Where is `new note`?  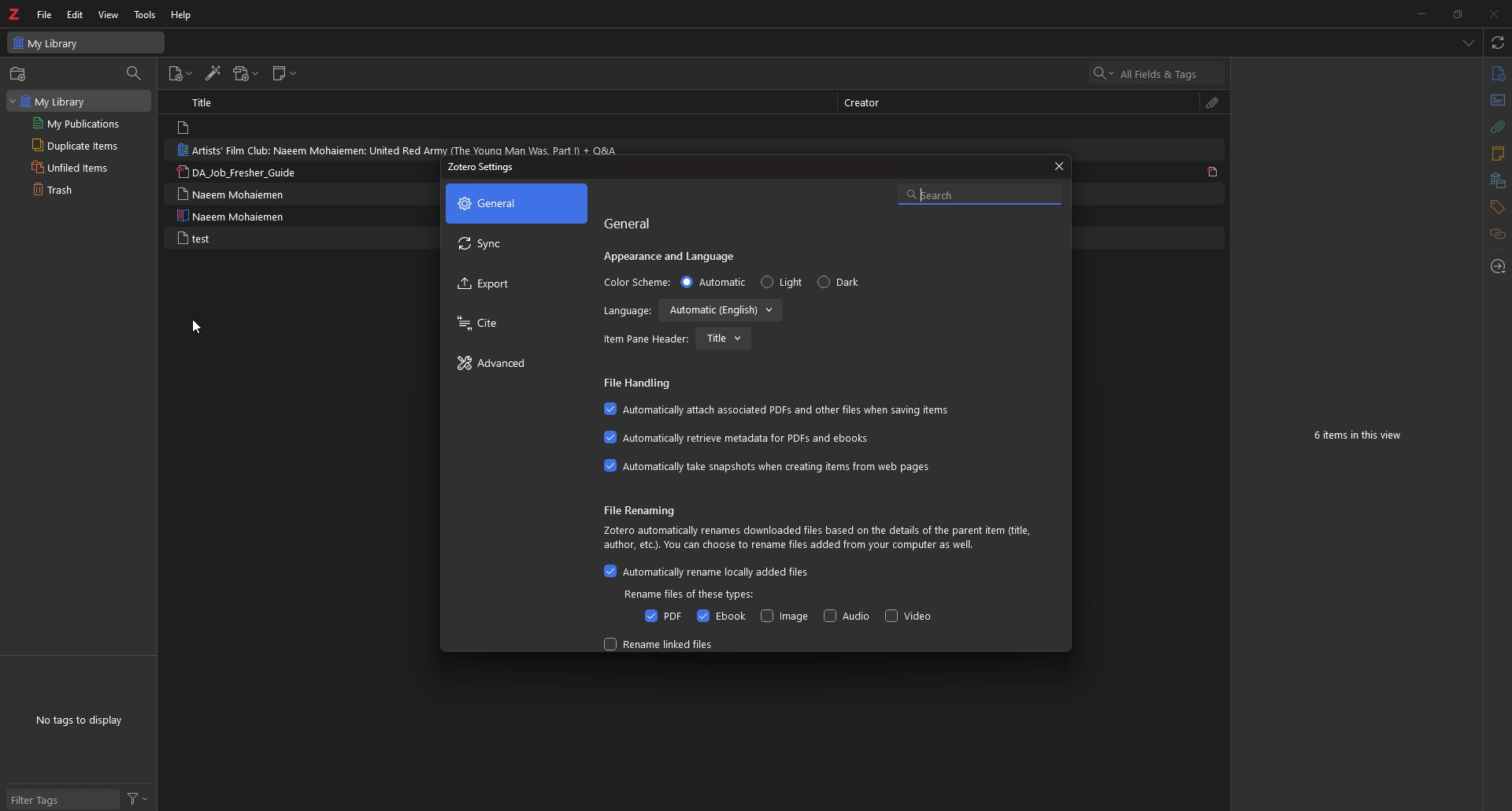 new note is located at coordinates (284, 73).